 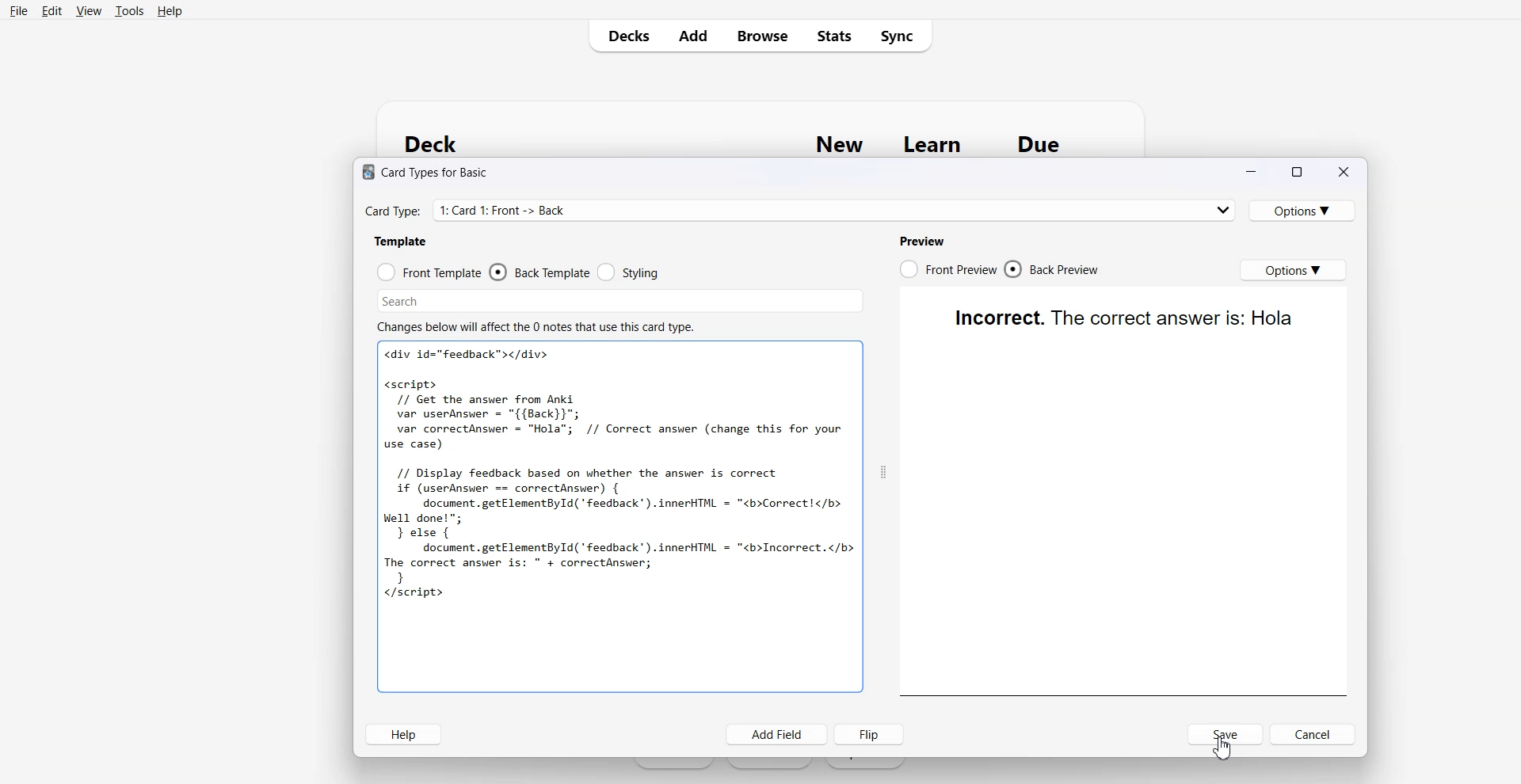 What do you see at coordinates (949, 266) in the screenshot?
I see `Front Preview` at bounding box center [949, 266].